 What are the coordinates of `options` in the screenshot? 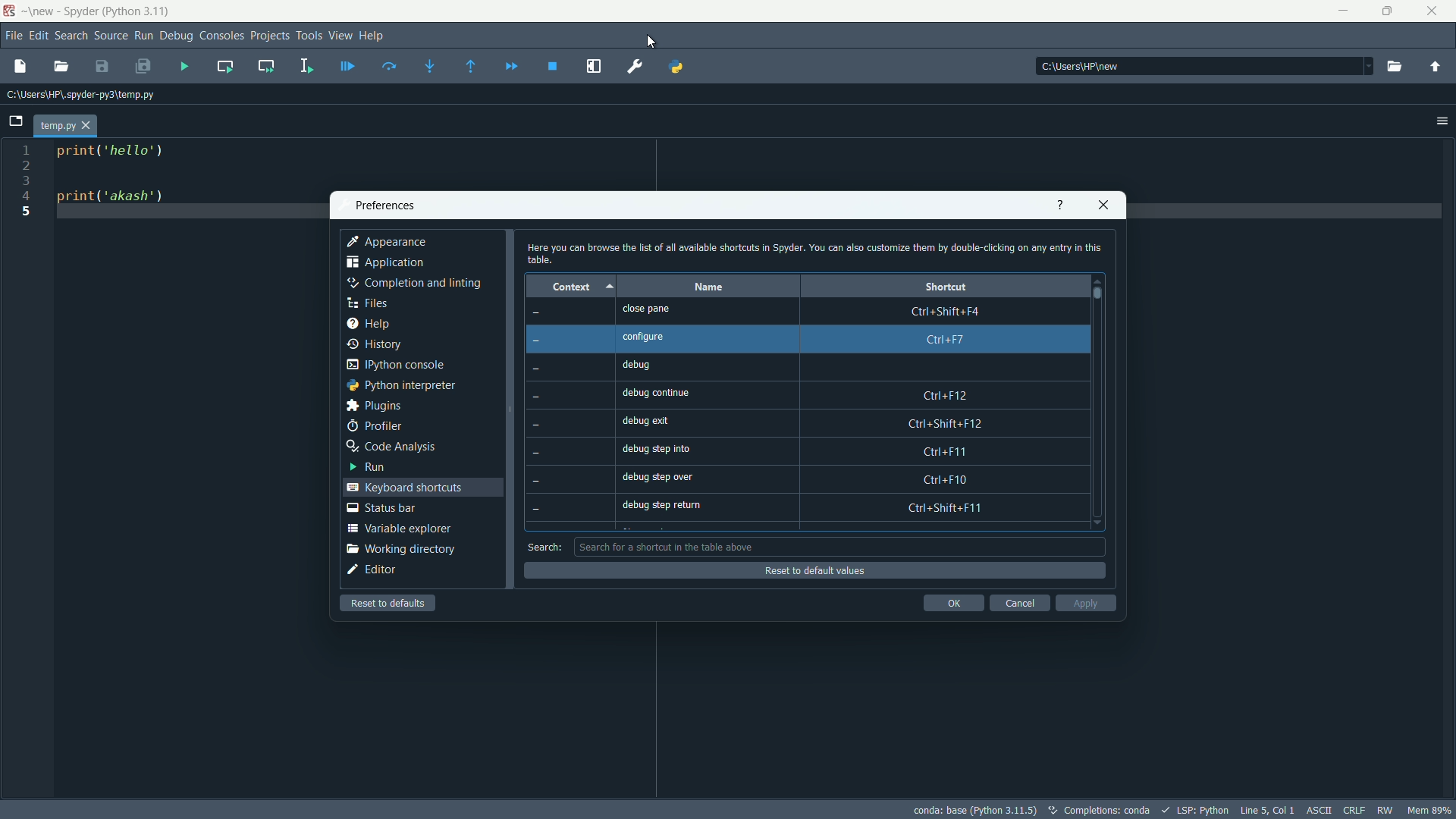 It's located at (1442, 121).